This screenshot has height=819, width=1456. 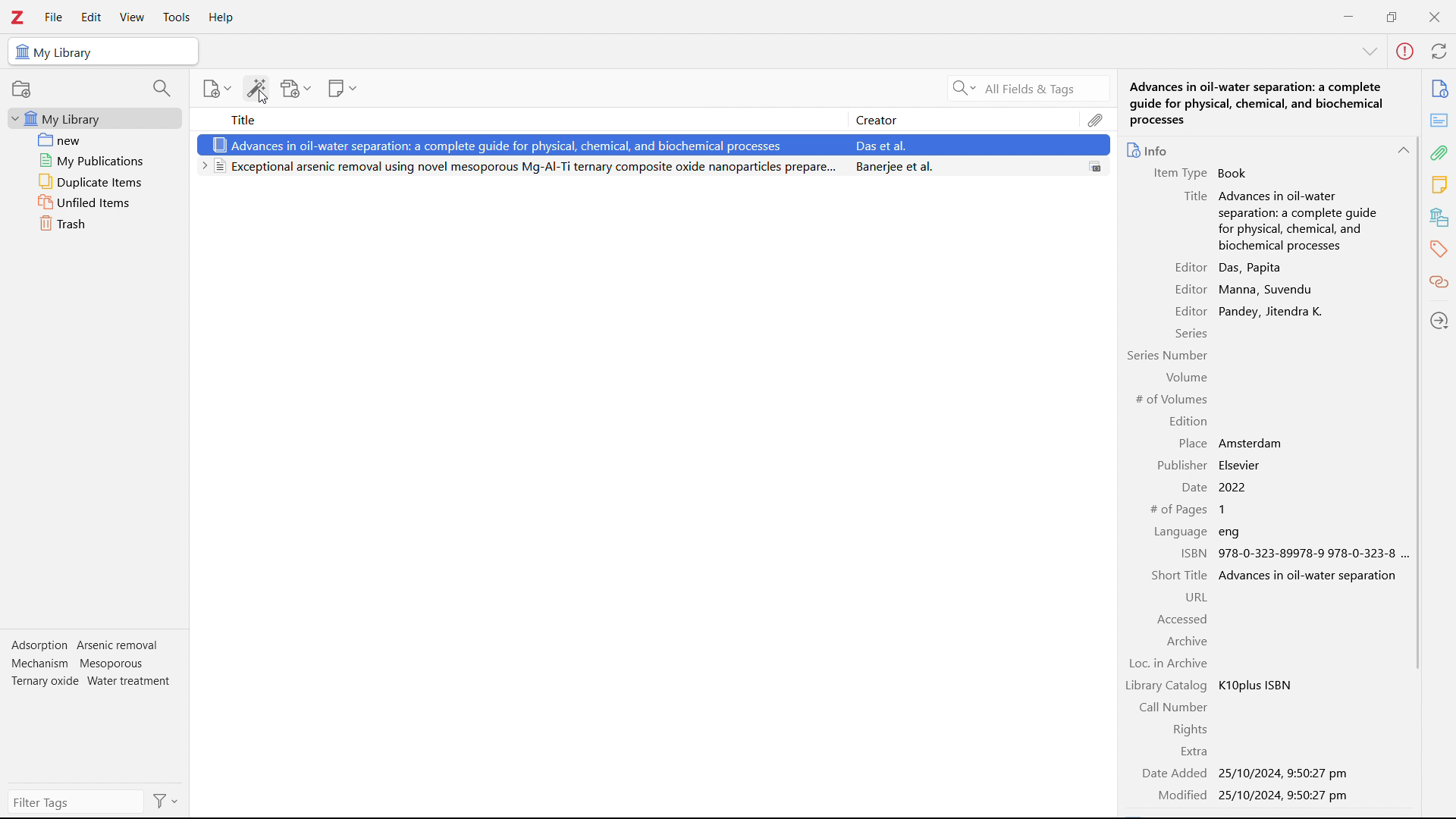 I want to click on add item, so click(x=218, y=89).